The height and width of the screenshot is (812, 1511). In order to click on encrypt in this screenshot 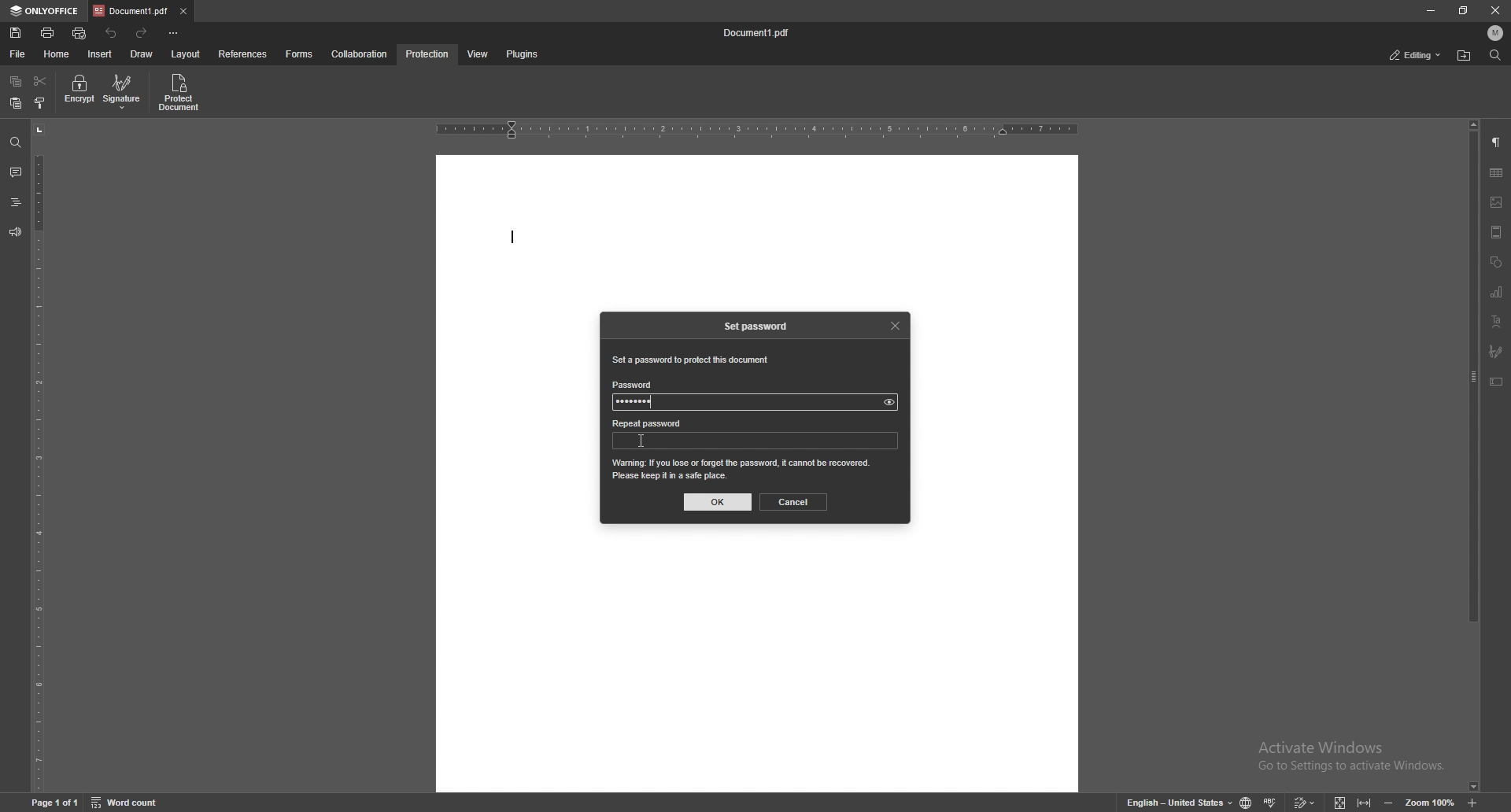, I will do `click(81, 92)`.